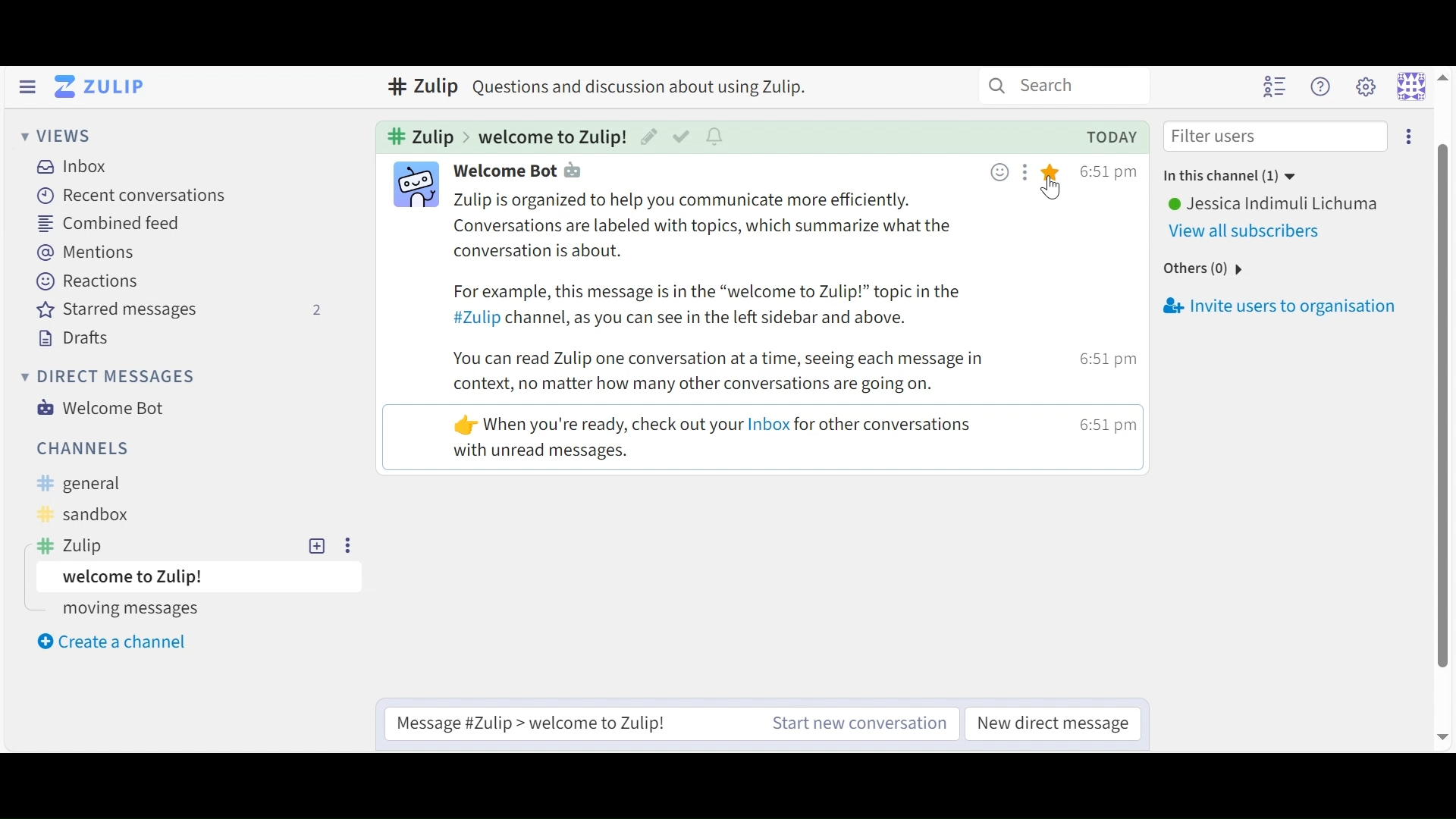 This screenshot has width=1456, height=819. Describe the element at coordinates (351, 545) in the screenshot. I see `more options` at that location.